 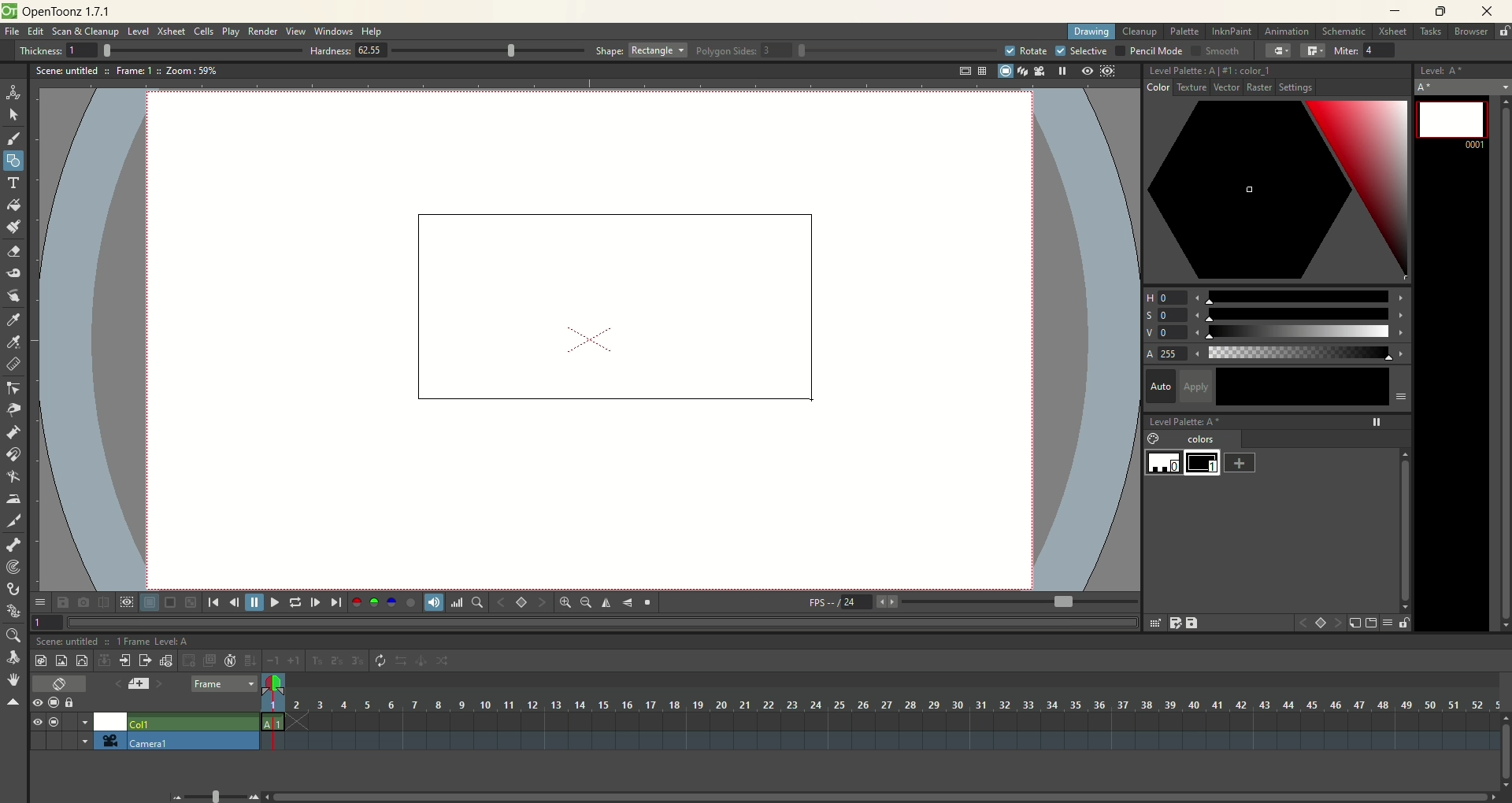 I want to click on paint brush tool, so click(x=13, y=225).